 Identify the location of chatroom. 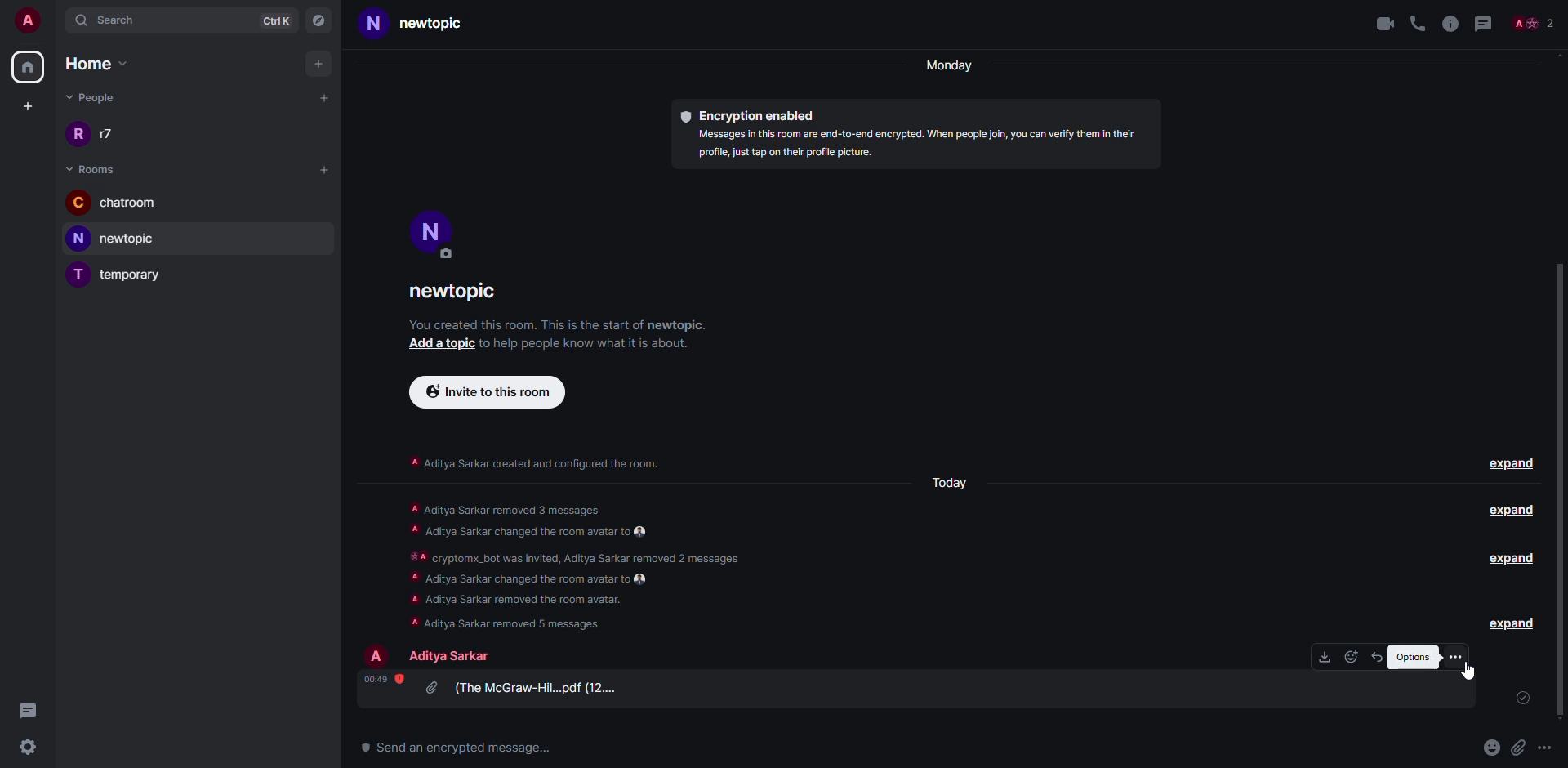
(121, 203).